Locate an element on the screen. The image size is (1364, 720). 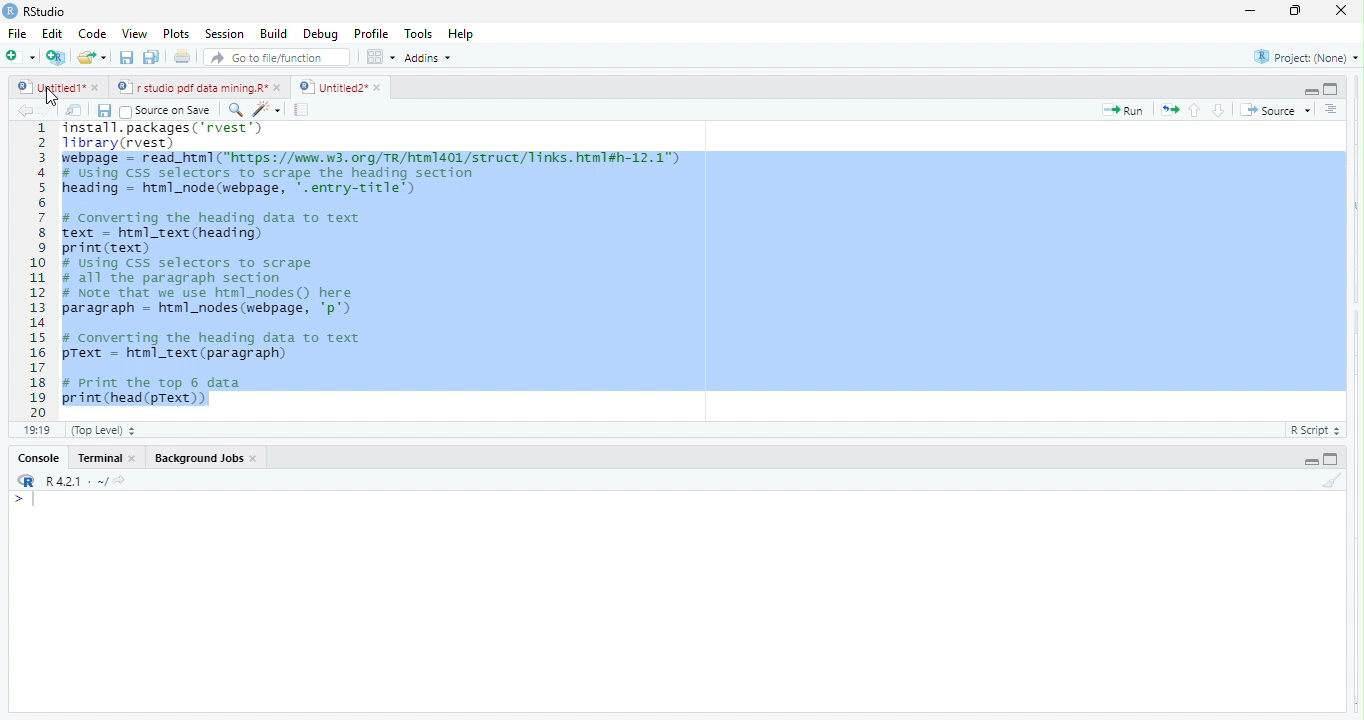
Build is located at coordinates (274, 34).